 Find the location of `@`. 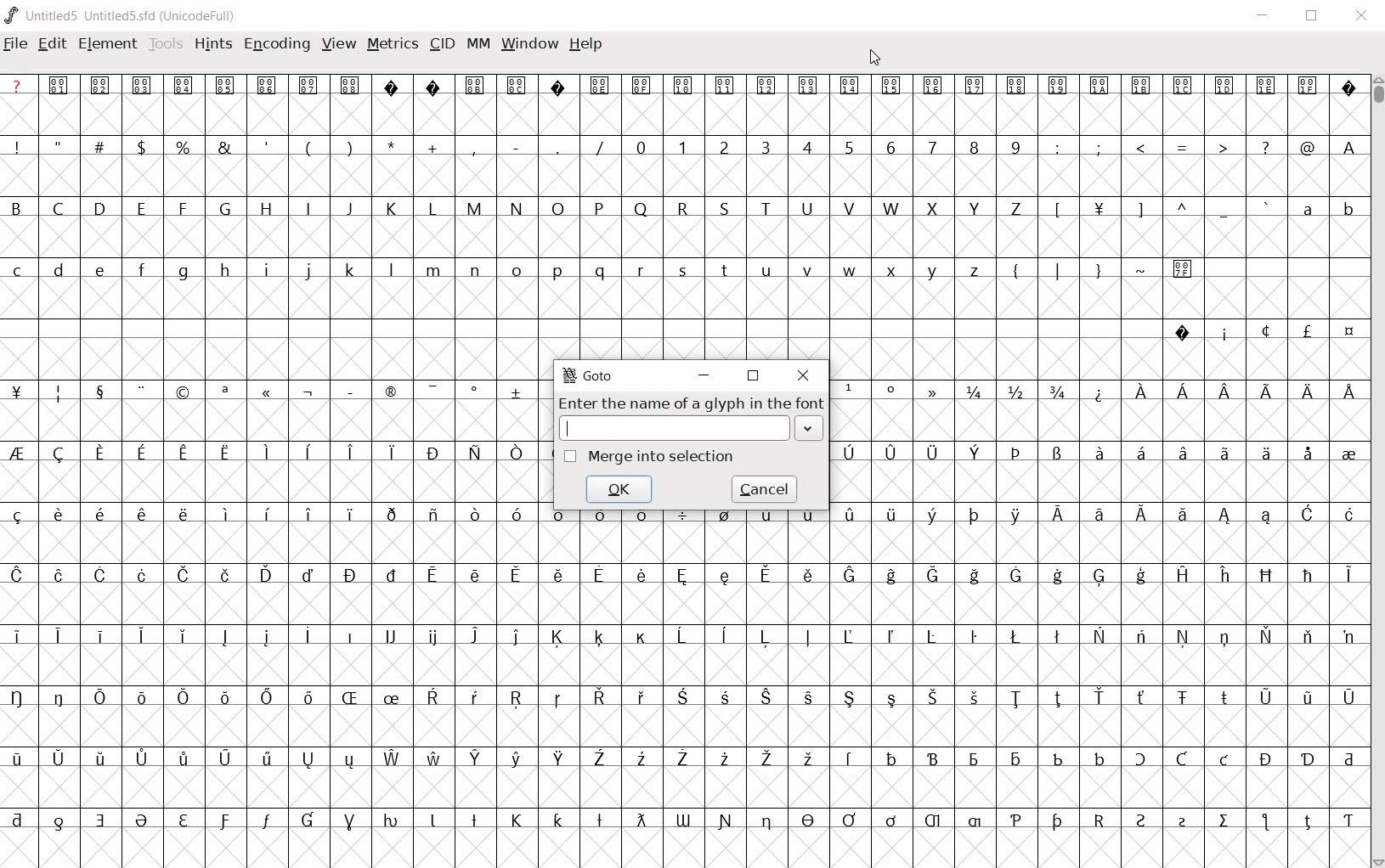

@ is located at coordinates (1307, 146).